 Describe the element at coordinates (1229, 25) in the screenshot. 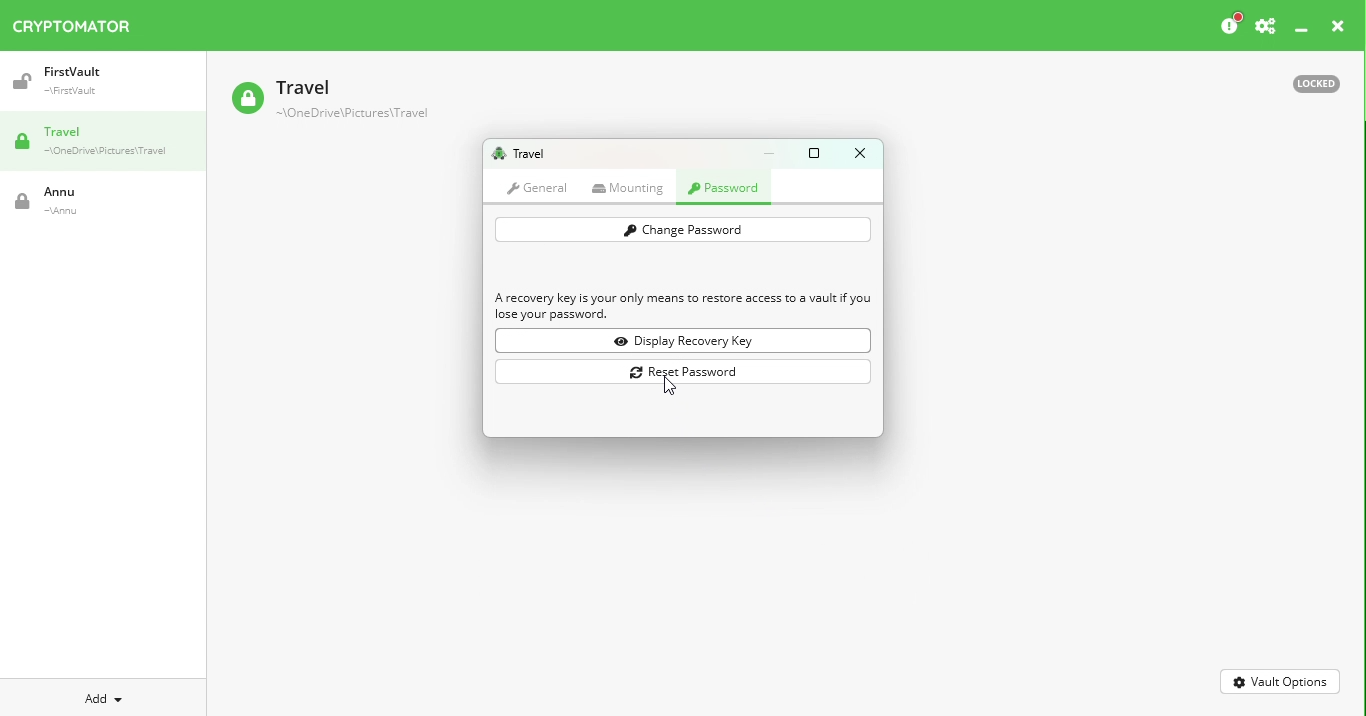

I see `Please consider donating` at that location.